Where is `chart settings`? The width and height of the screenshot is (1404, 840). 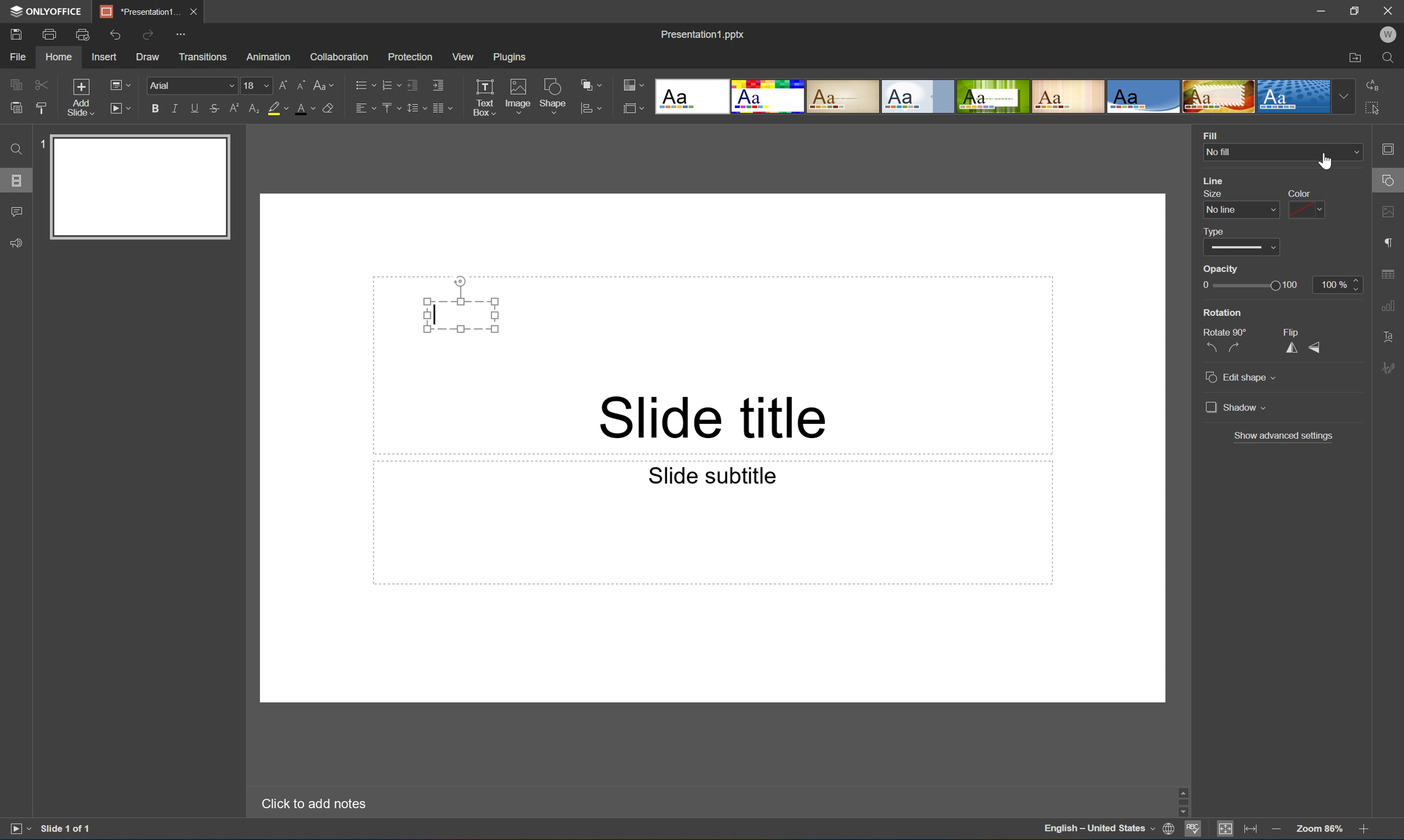
chart settings is located at coordinates (1388, 306).